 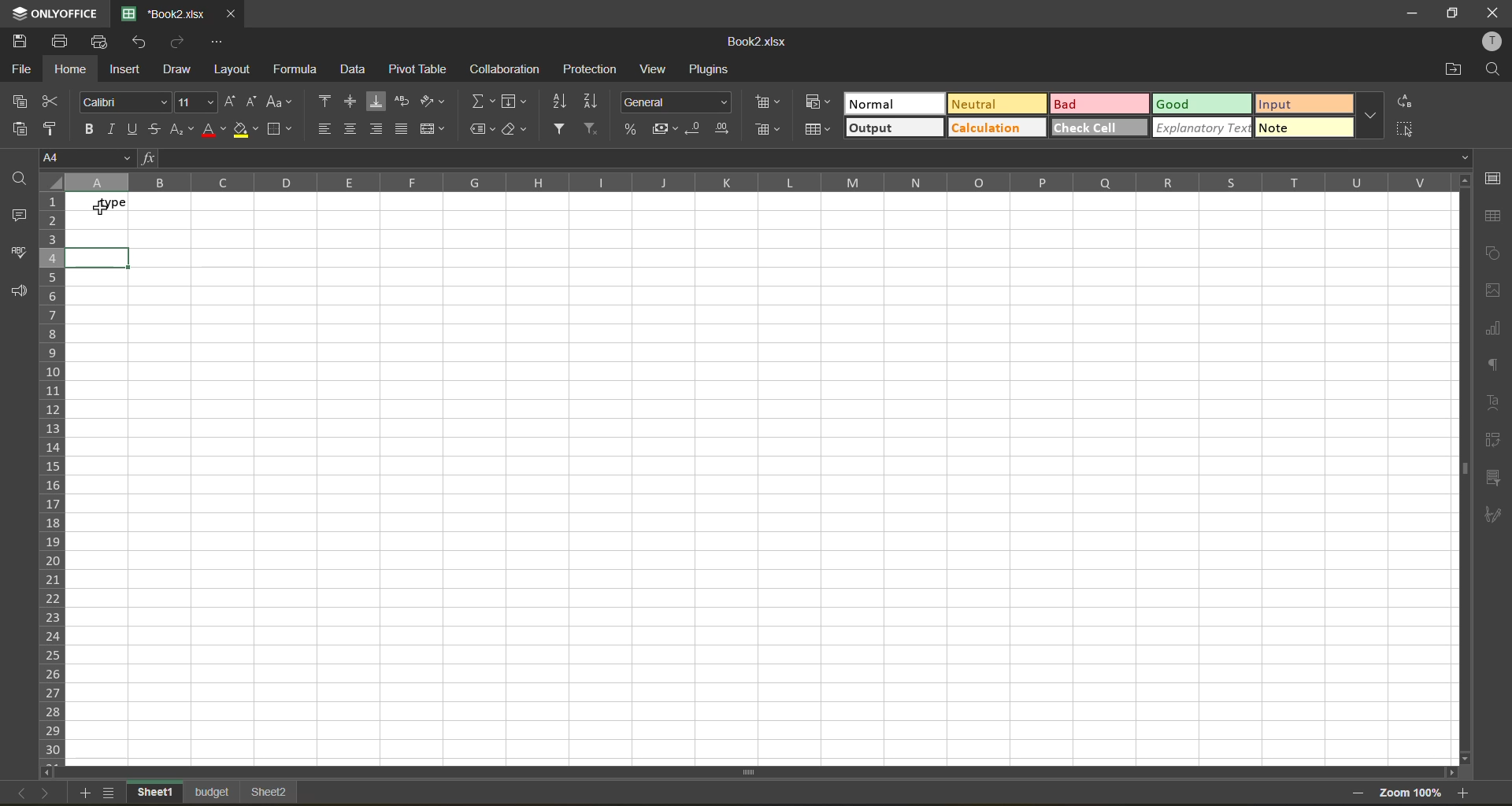 What do you see at coordinates (706, 68) in the screenshot?
I see `plugins` at bounding box center [706, 68].